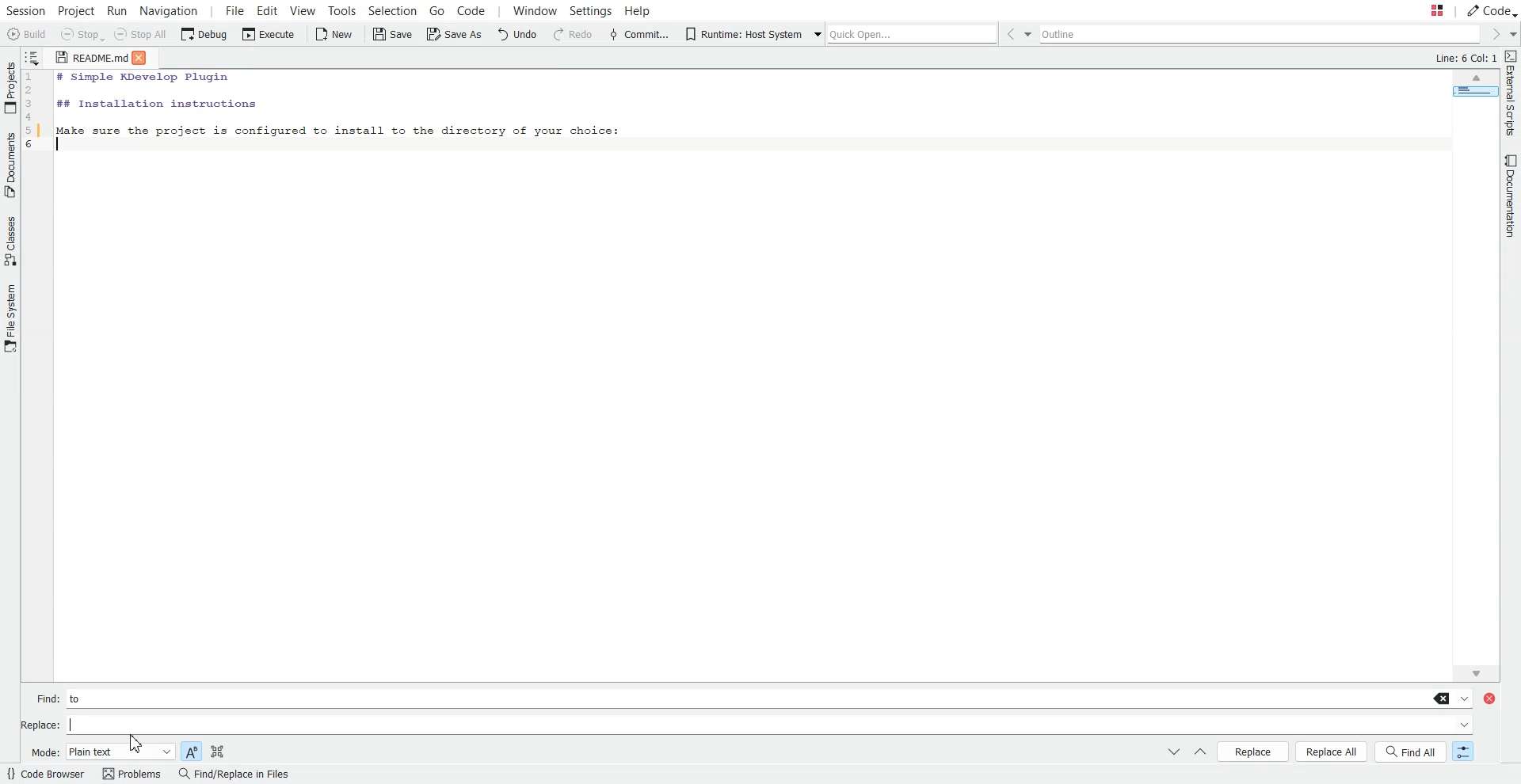 The height and width of the screenshot is (784, 1521). I want to click on Documentation, so click(1507, 197).